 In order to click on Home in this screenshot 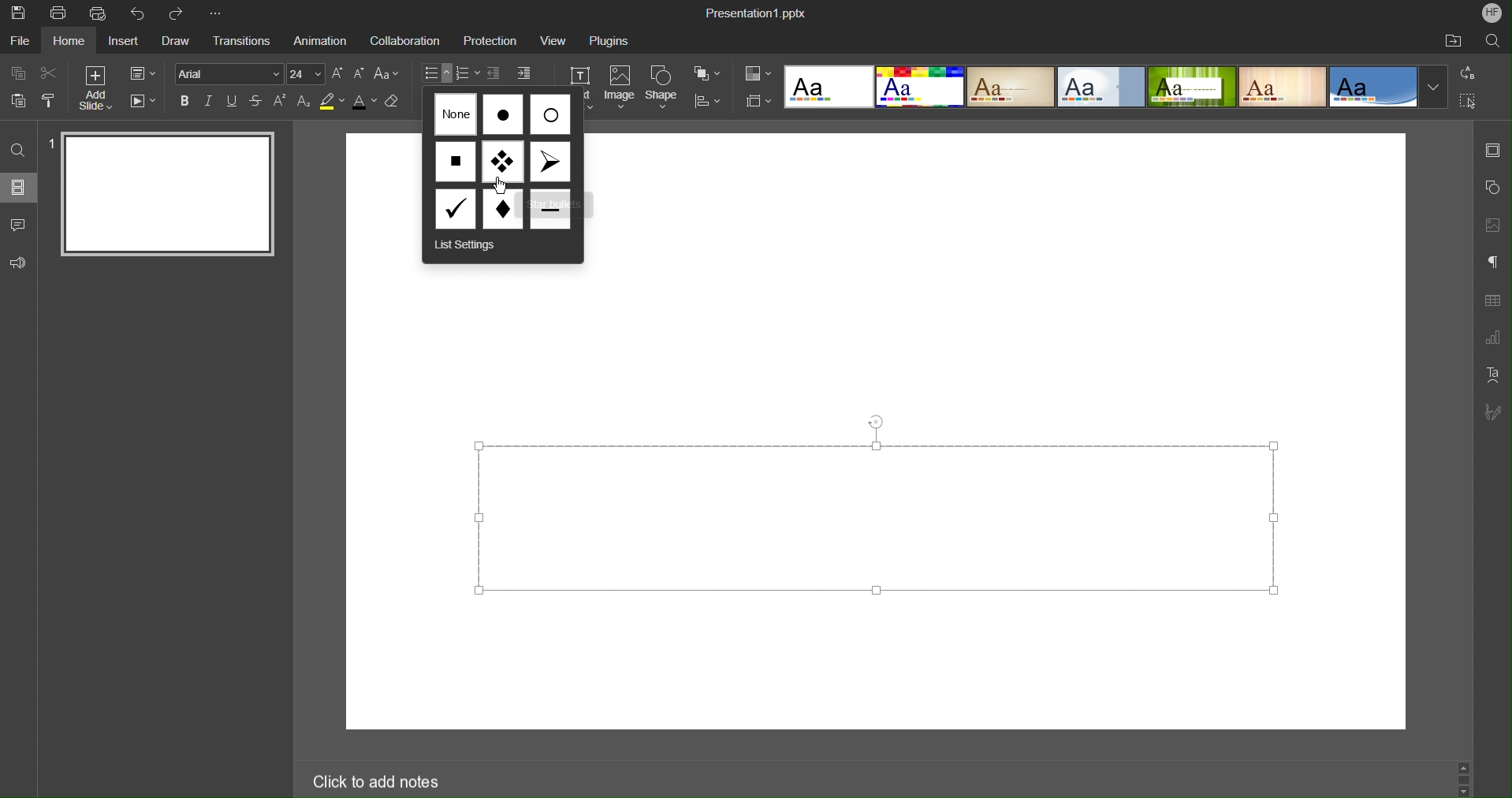, I will do `click(69, 42)`.